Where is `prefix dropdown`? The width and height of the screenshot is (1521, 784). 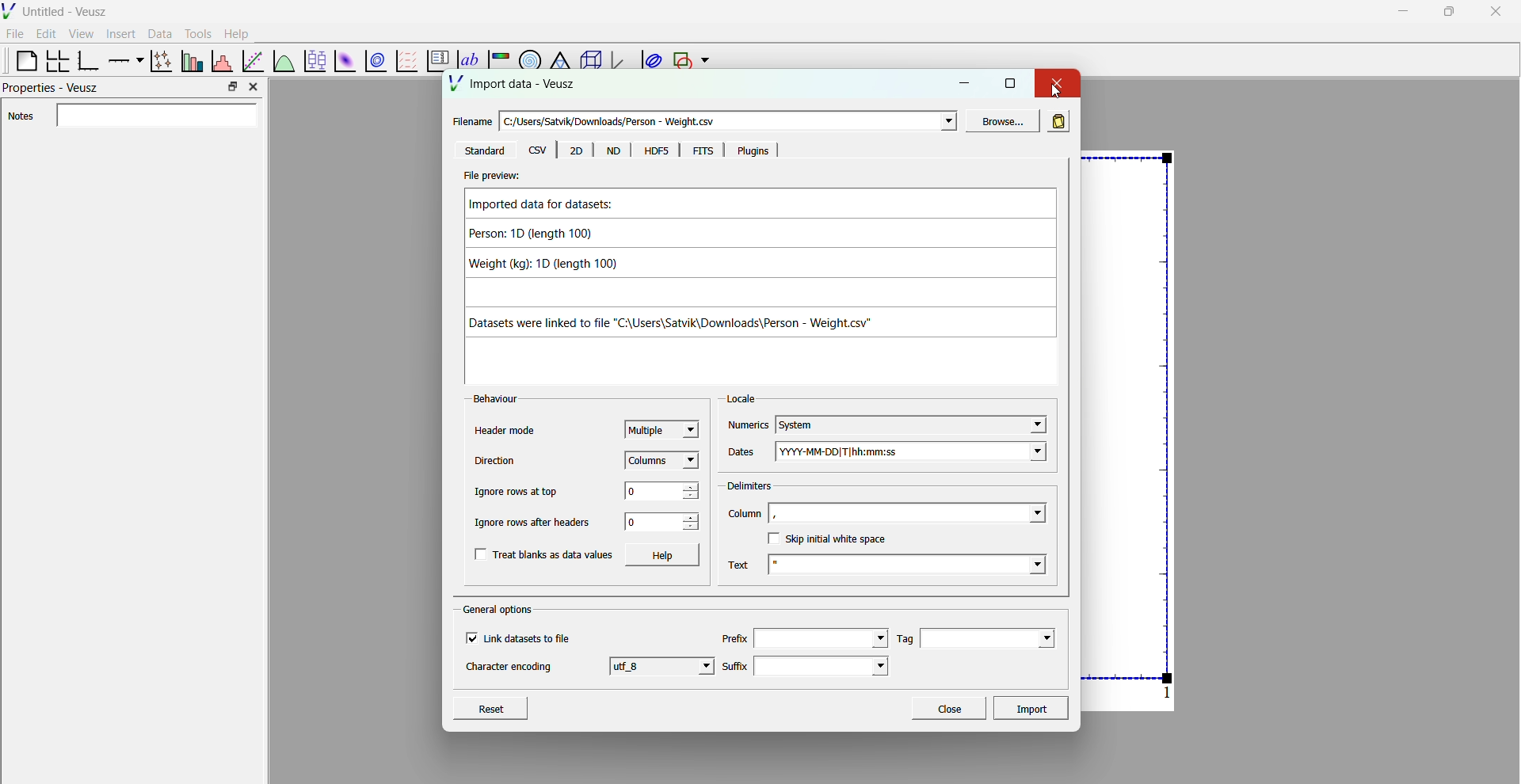 prefix dropdown is located at coordinates (821, 637).